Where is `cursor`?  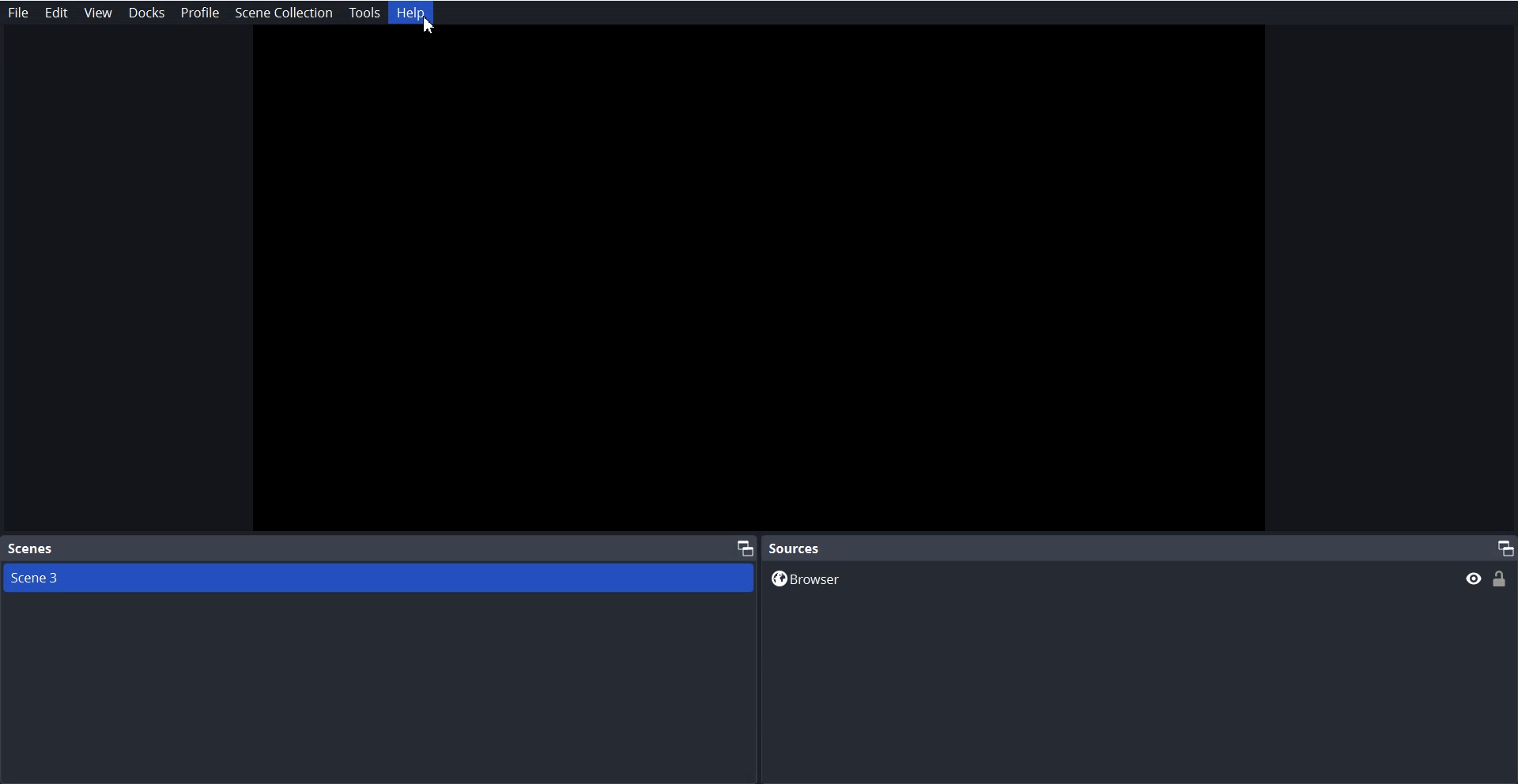 cursor is located at coordinates (427, 26).